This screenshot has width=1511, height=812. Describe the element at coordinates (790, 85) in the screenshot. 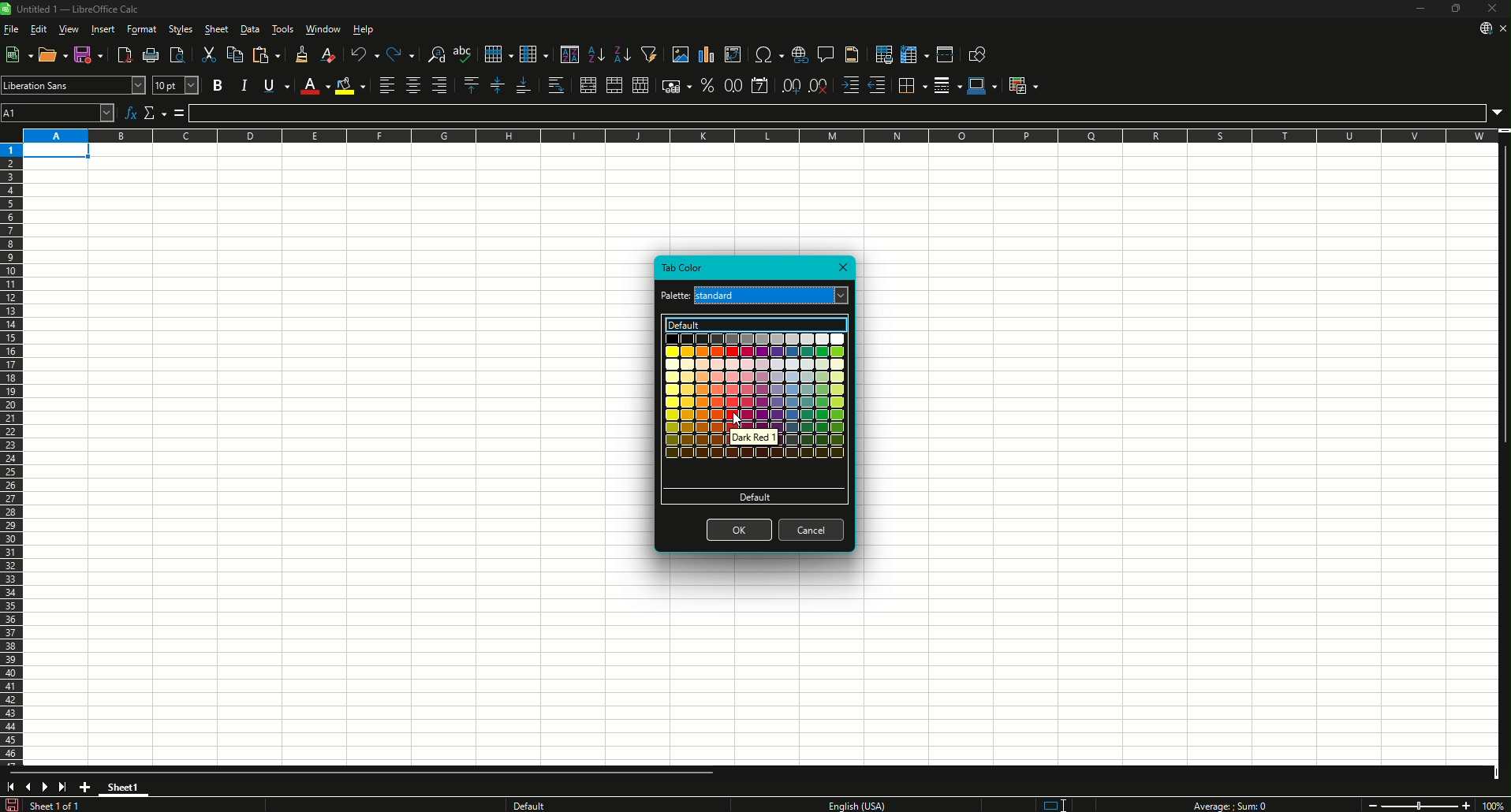

I see `Add Decimal Place` at that location.